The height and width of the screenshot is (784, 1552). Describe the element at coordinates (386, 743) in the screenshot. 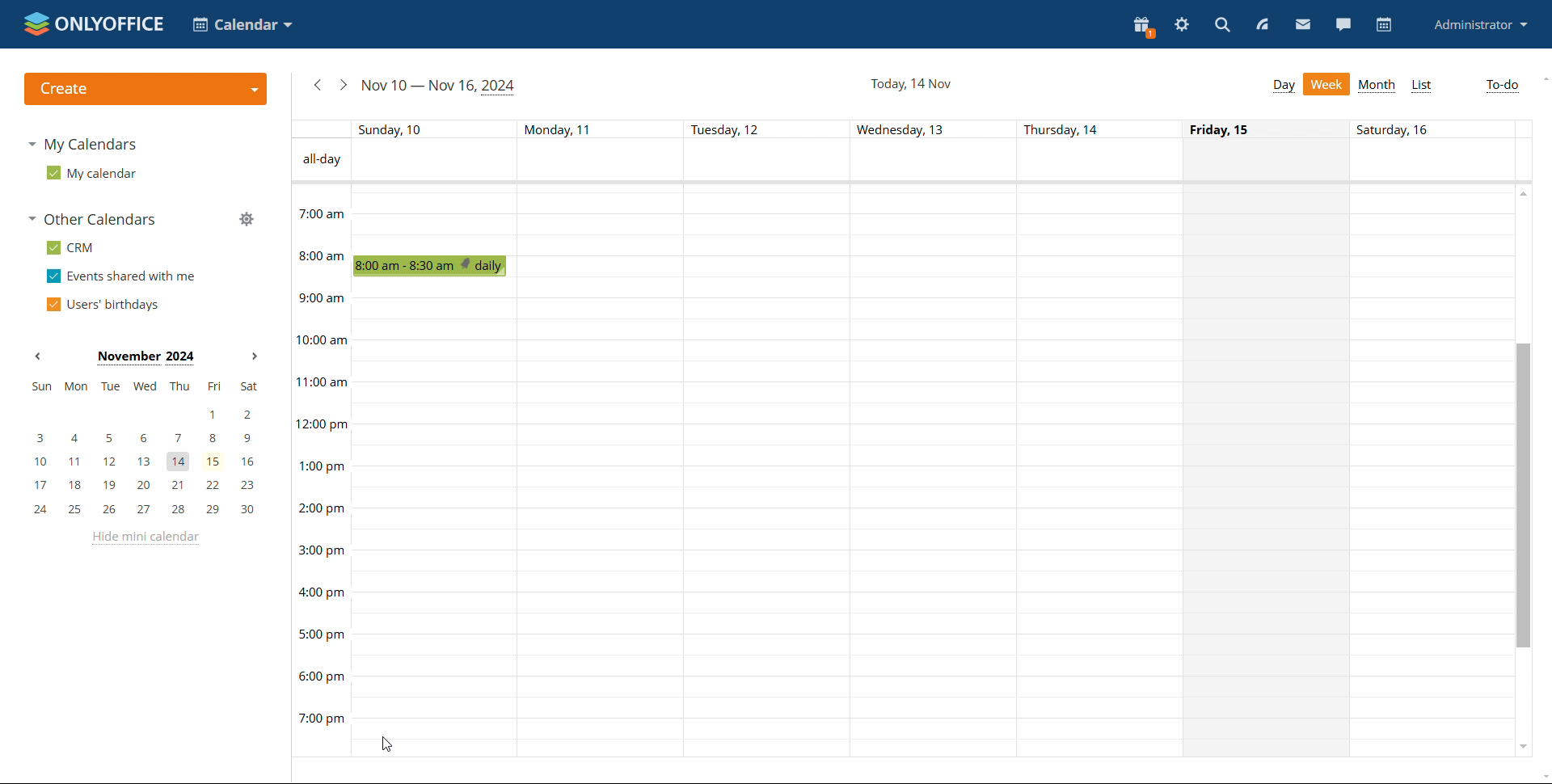

I see `cursor` at that location.